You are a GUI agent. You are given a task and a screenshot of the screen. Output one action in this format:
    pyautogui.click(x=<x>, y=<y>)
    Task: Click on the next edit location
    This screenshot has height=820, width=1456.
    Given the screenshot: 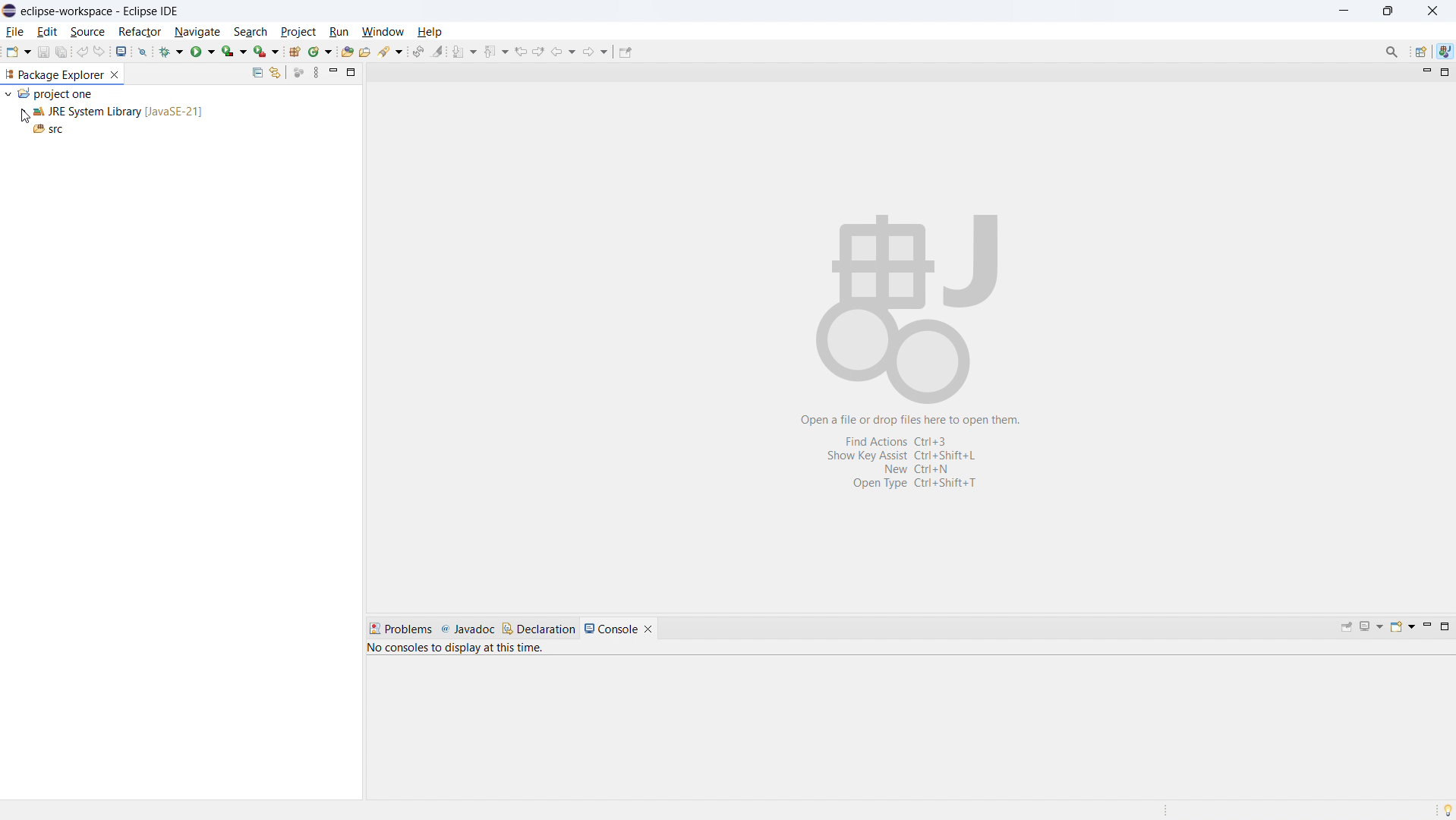 What is the action you would take?
    pyautogui.click(x=538, y=51)
    